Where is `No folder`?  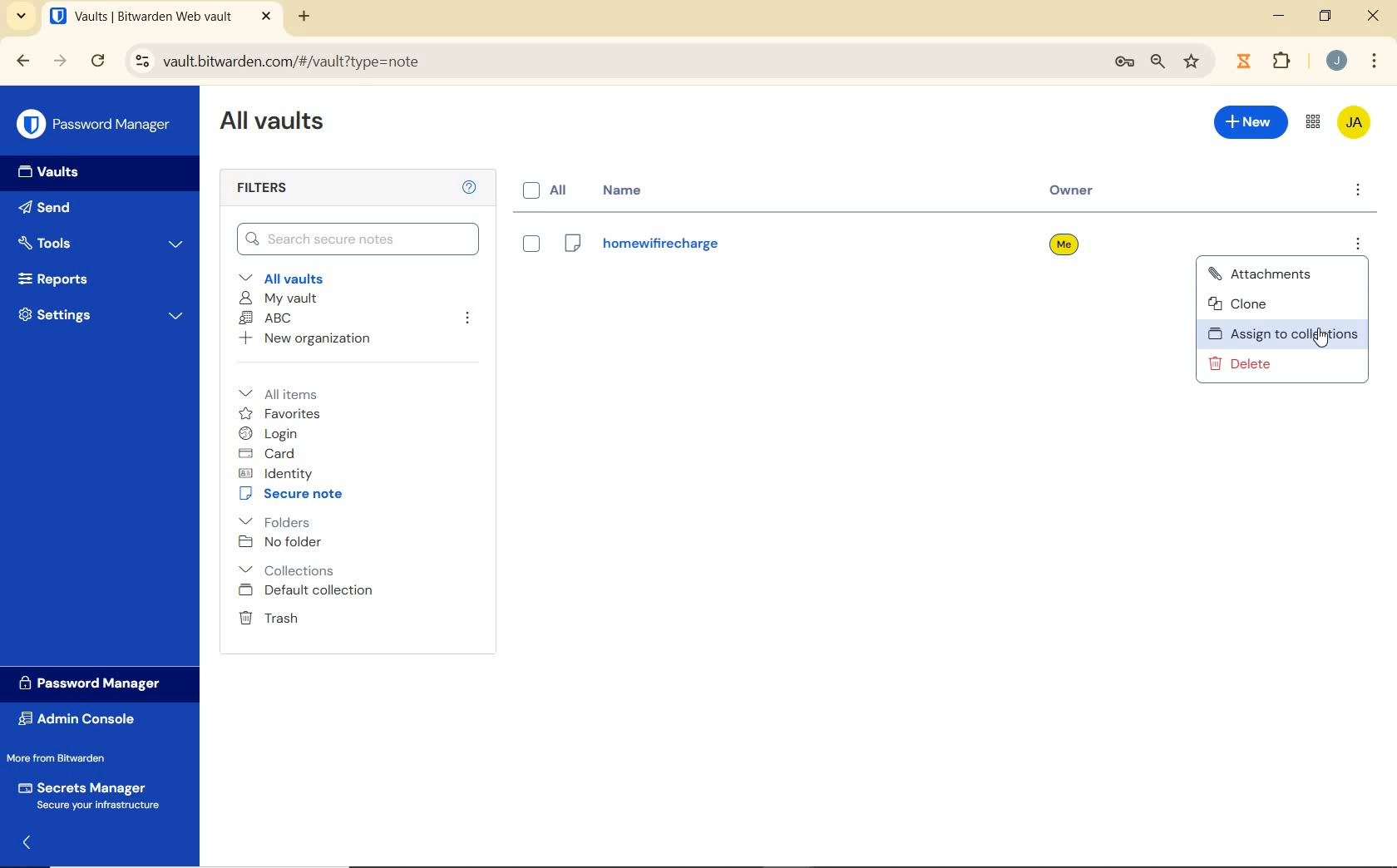
No folder is located at coordinates (280, 542).